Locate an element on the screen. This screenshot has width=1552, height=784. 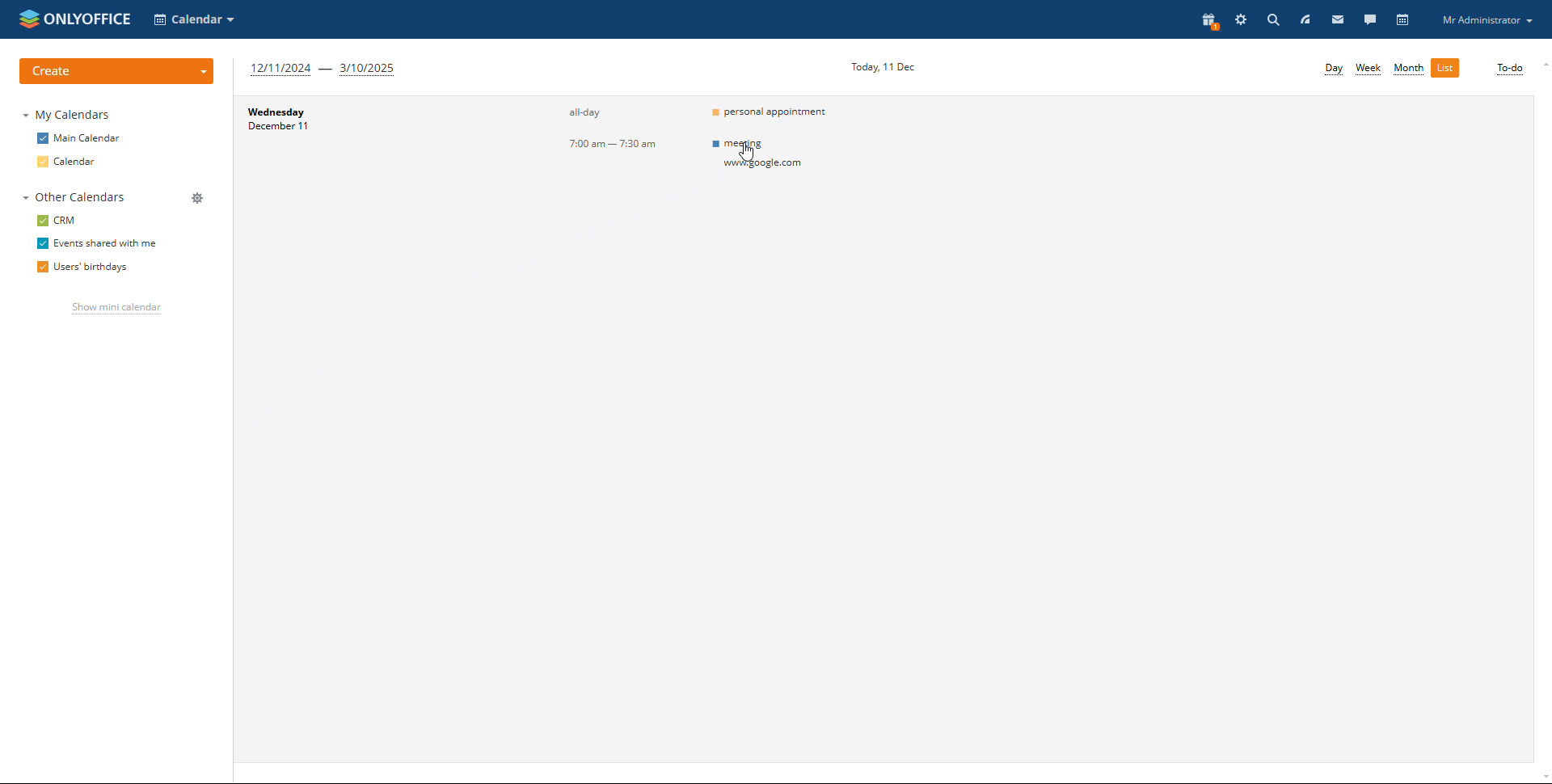
events shared with me is located at coordinates (98, 243).